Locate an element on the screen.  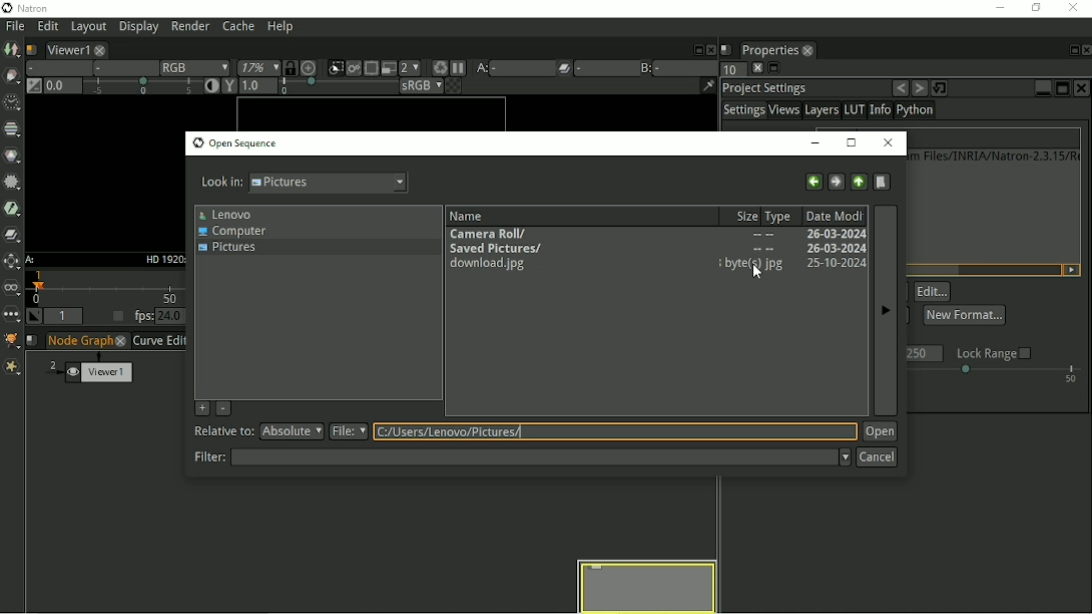
Camera Roll/ is located at coordinates (492, 232).